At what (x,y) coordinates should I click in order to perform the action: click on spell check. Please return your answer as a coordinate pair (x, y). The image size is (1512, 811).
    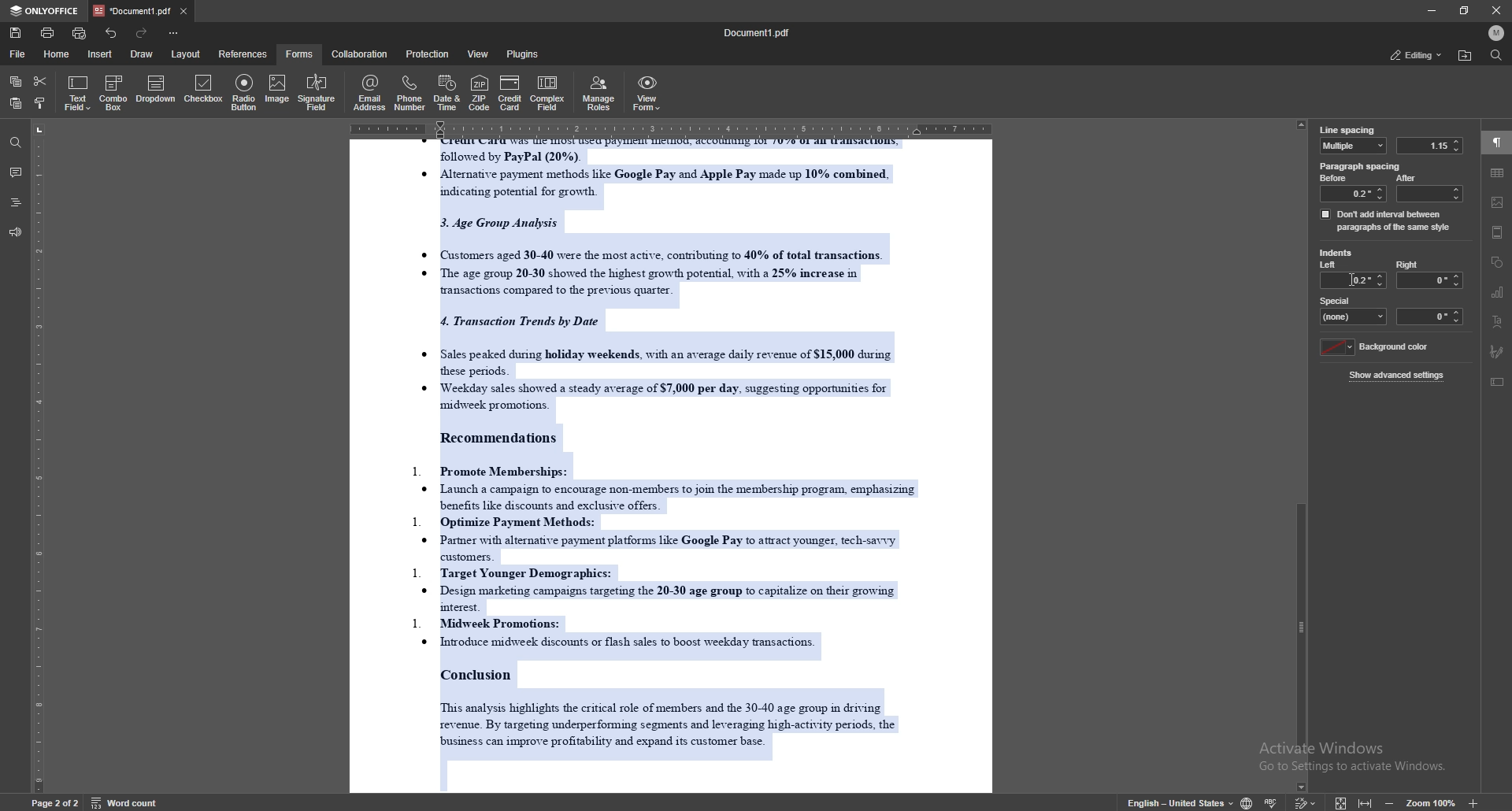
    Looking at the image, I should click on (1273, 801).